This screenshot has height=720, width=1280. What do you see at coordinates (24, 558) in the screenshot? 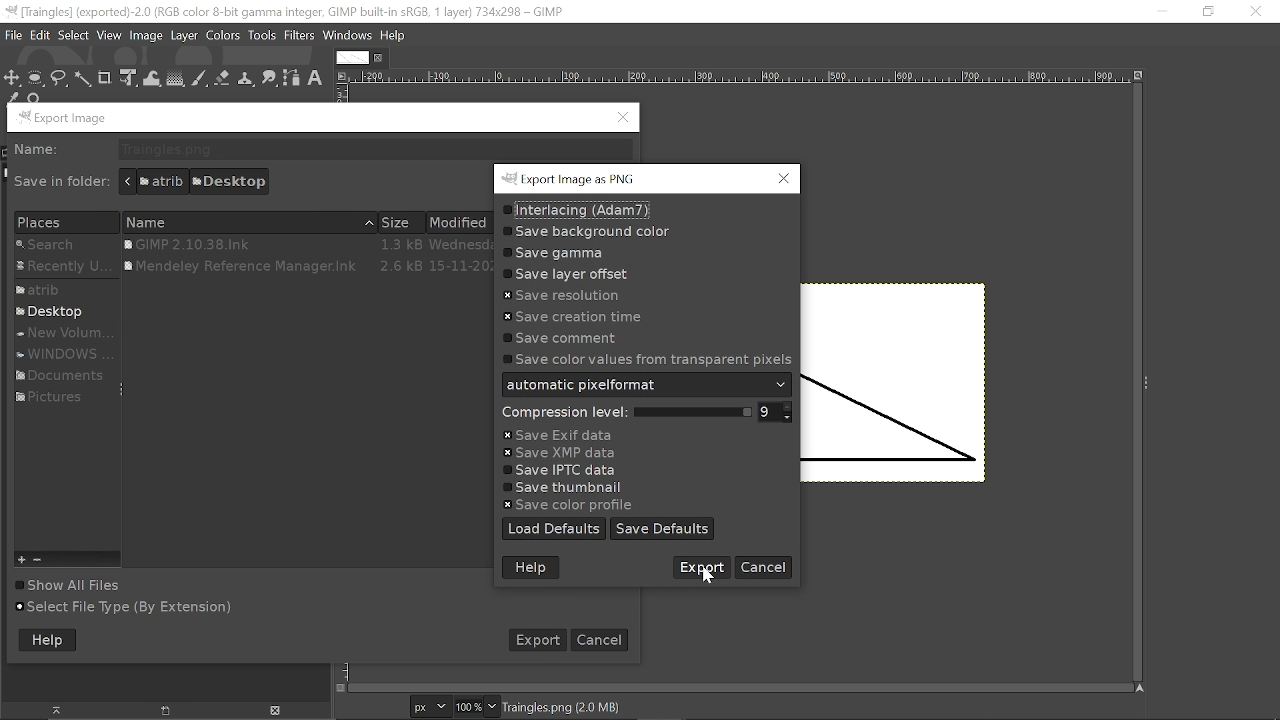
I see `Zoom in` at bounding box center [24, 558].